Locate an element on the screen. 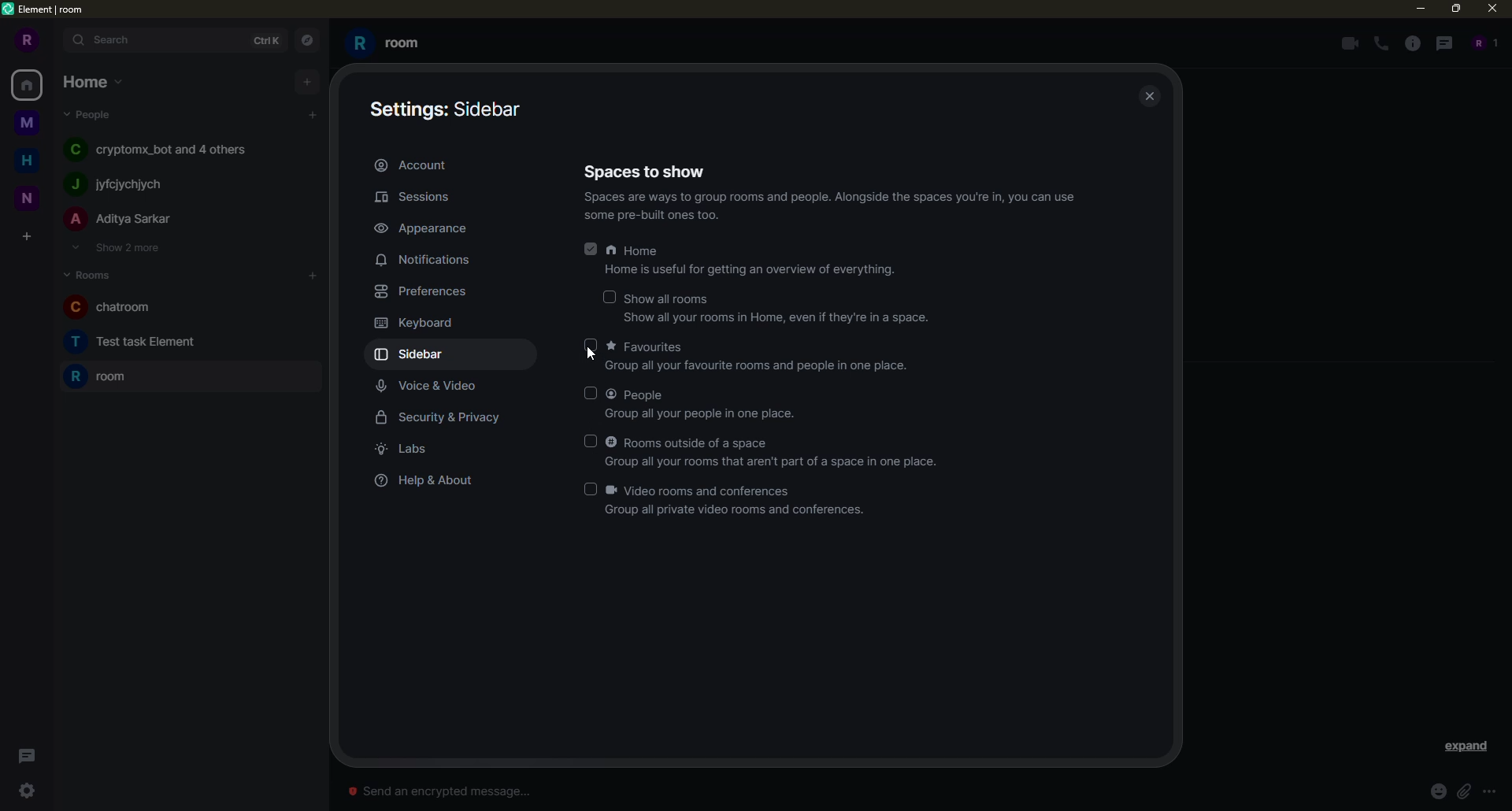  select is located at coordinates (607, 298).